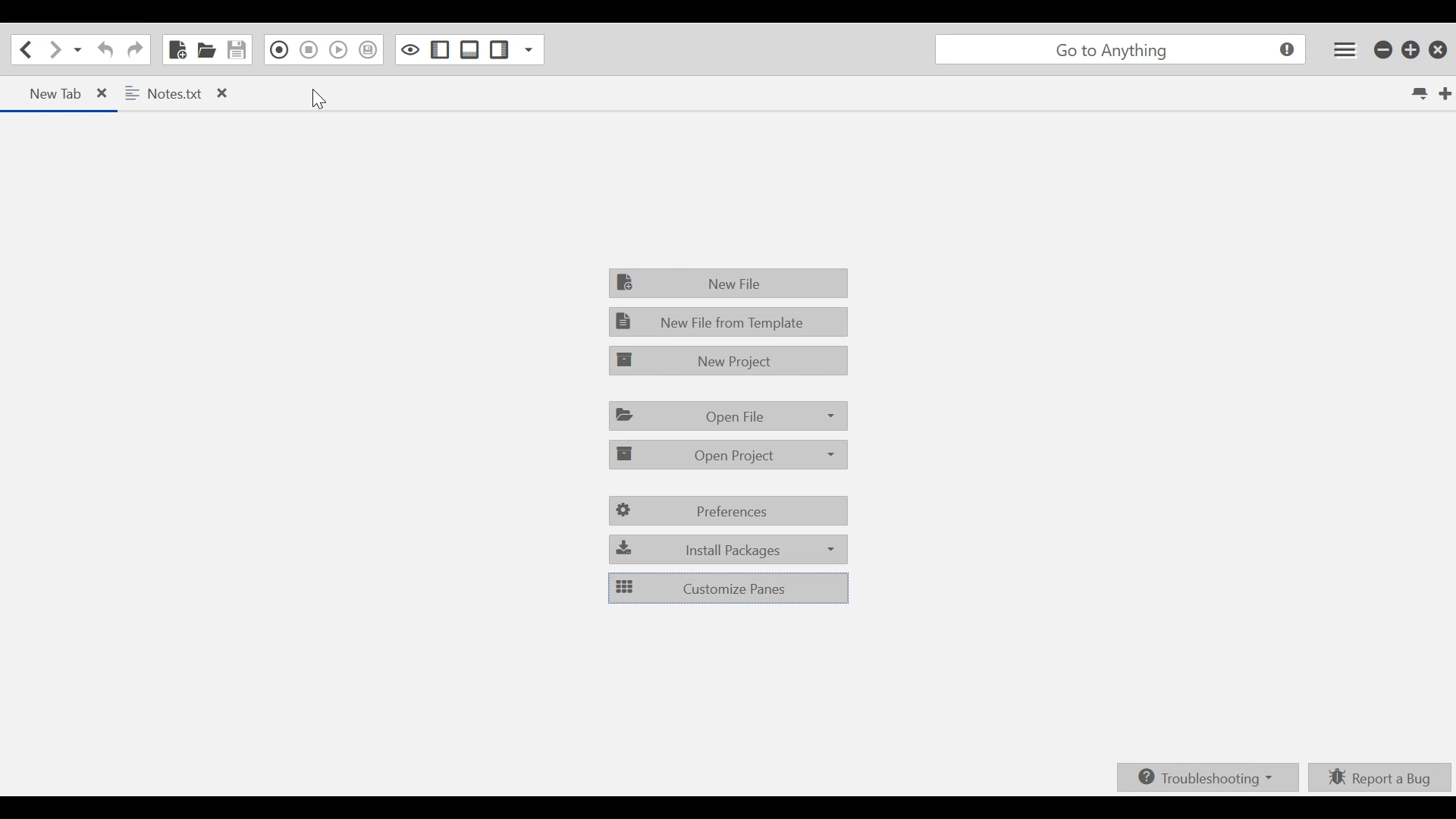 This screenshot has width=1456, height=819. What do you see at coordinates (369, 50) in the screenshot?
I see `Save Macro to Toolbox as Superscipt` at bounding box center [369, 50].